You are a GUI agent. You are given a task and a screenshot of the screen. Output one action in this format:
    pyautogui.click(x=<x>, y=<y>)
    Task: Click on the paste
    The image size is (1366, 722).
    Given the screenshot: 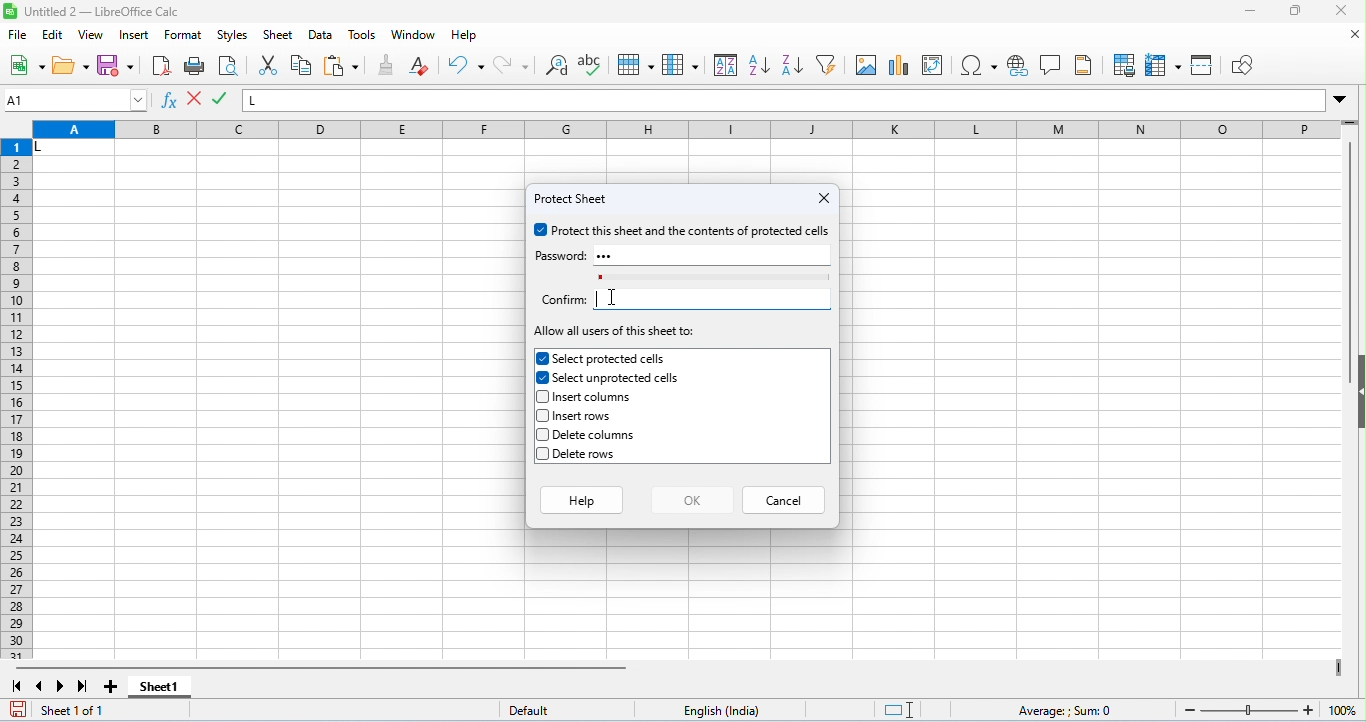 What is the action you would take?
    pyautogui.click(x=342, y=67)
    